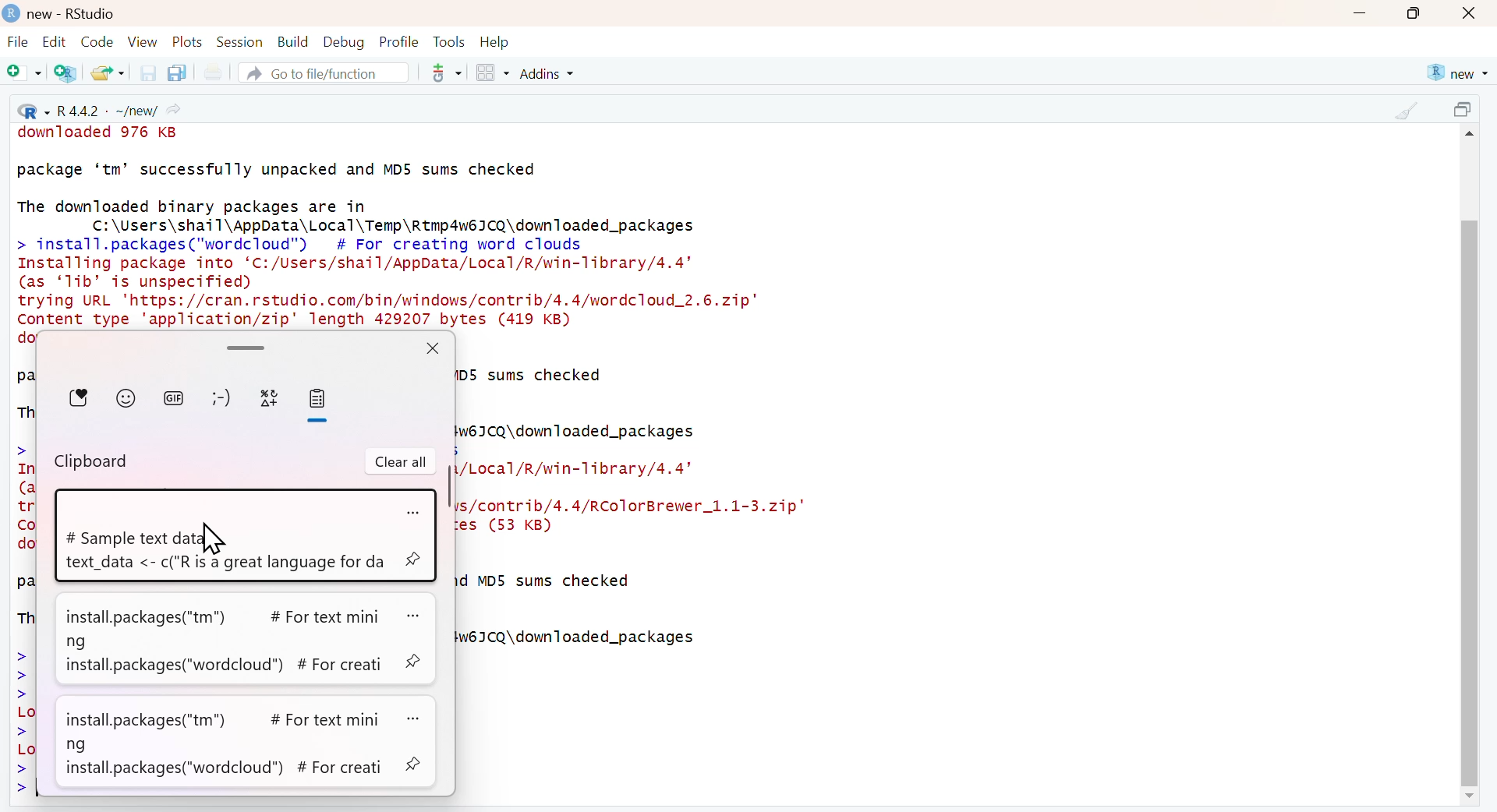 The width and height of the screenshot is (1497, 812). I want to click on Save the current document, so click(149, 72).